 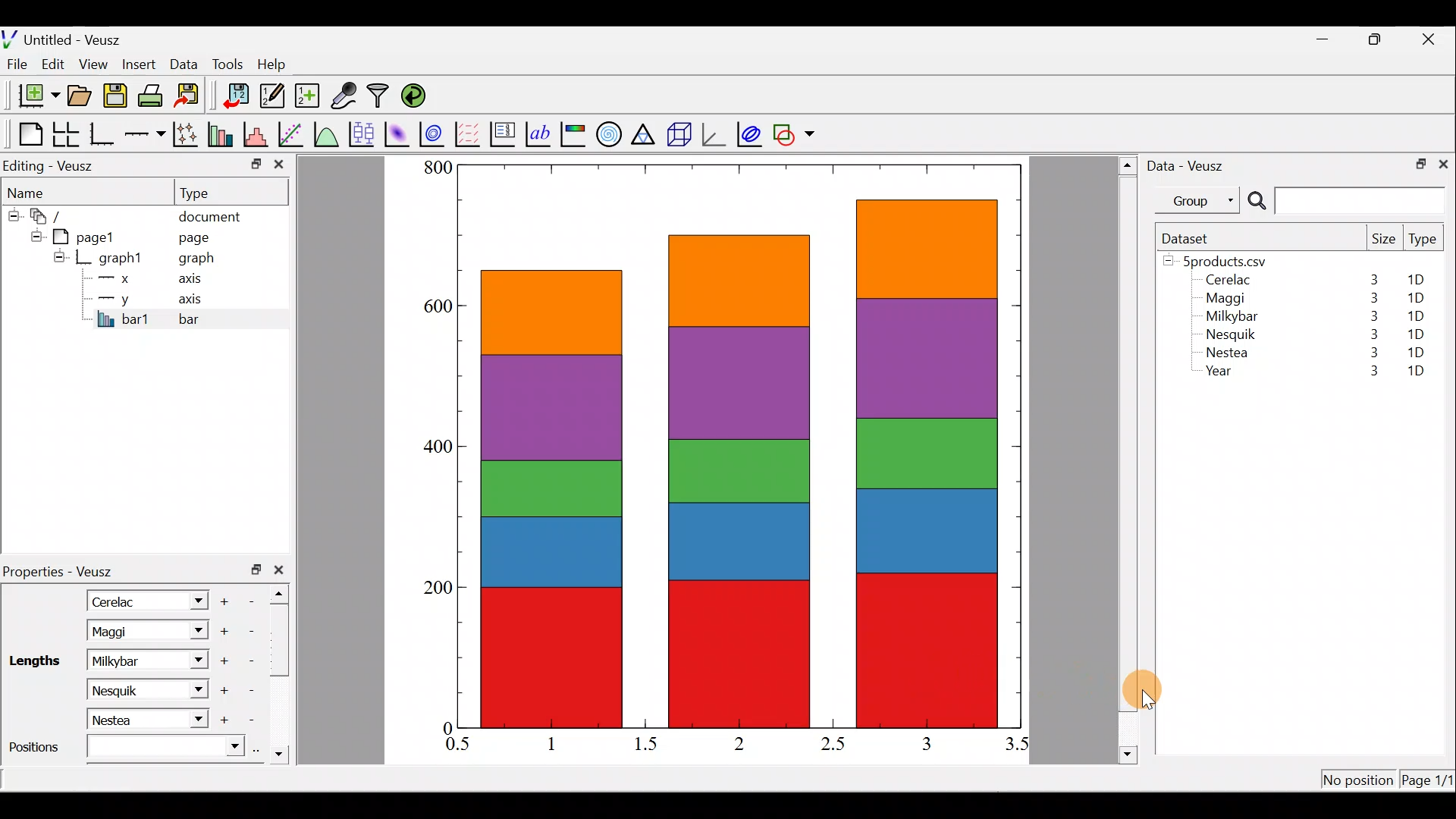 What do you see at coordinates (440, 449) in the screenshot?
I see `400` at bounding box center [440, 449].